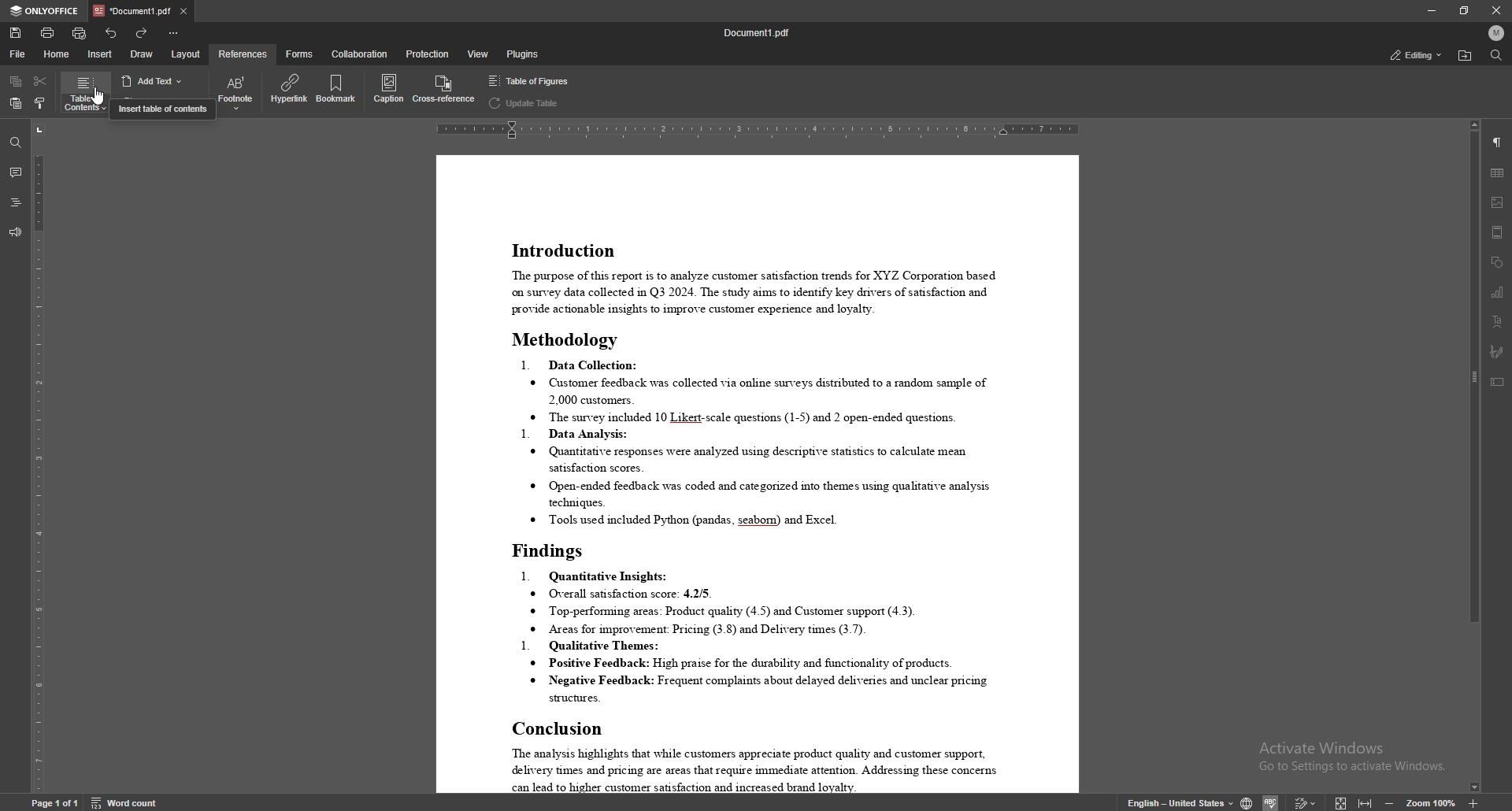  What do you see at coordinates (1497, 173) in the screenshot?
I see `table` at bounding box center [1497, 173].